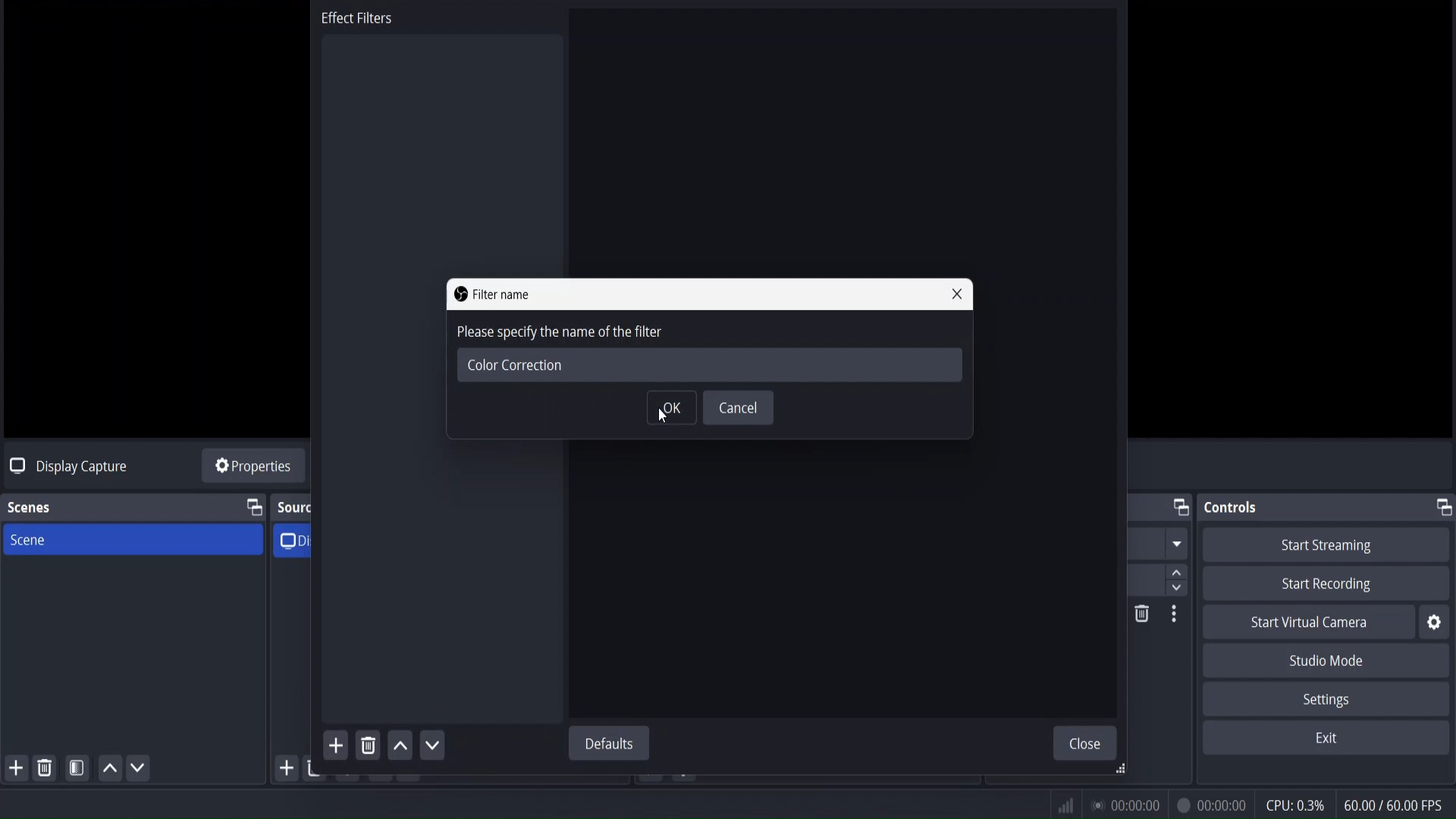 The width and height of the screenshot is (1456, 819). What do you see at coordinates (1234, 507) in the screenshot?
I see `controls` at bounding box center [1234, 507].